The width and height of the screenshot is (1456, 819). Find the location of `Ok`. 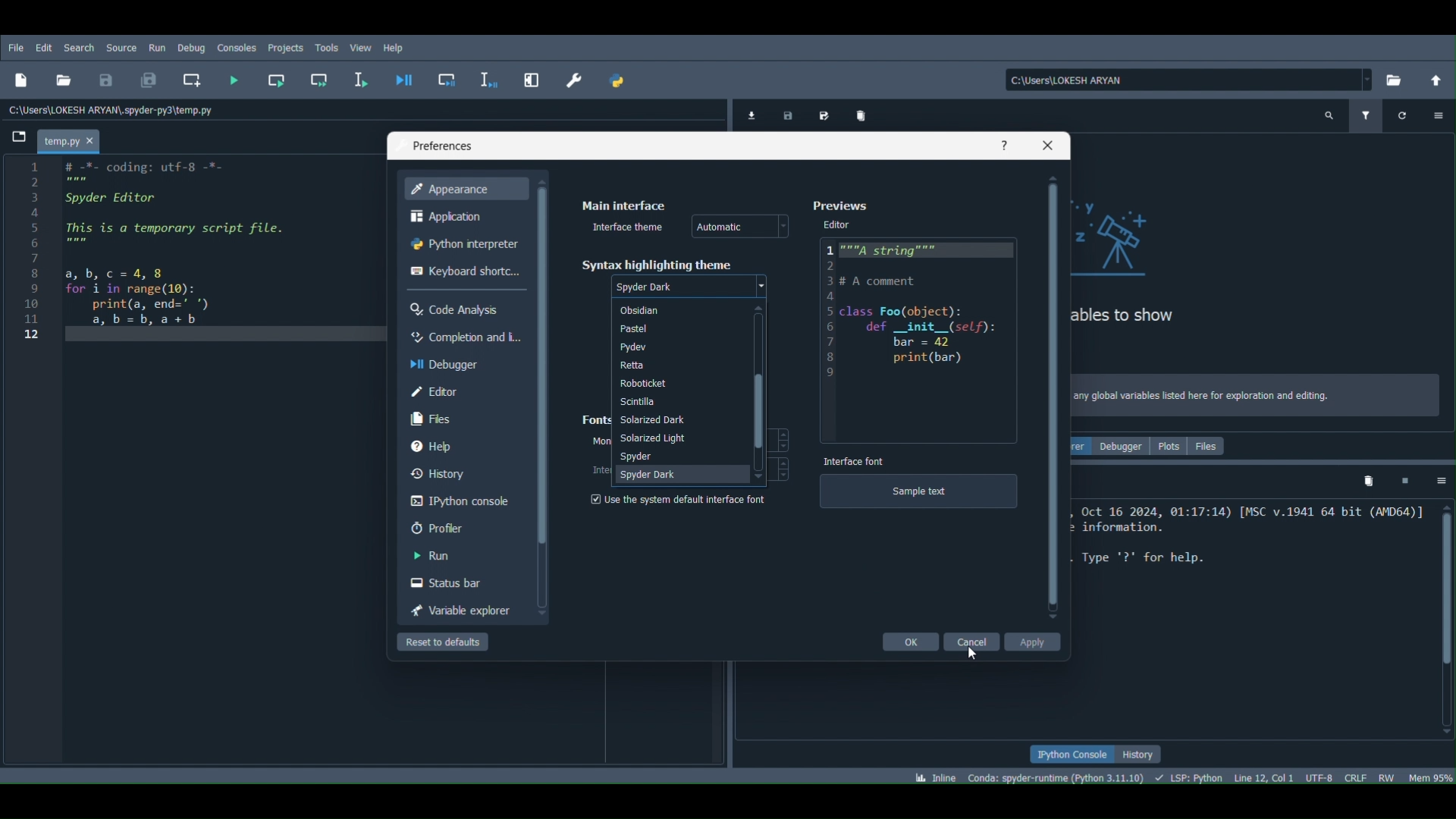

Ok is located at coordinates (910, 641).